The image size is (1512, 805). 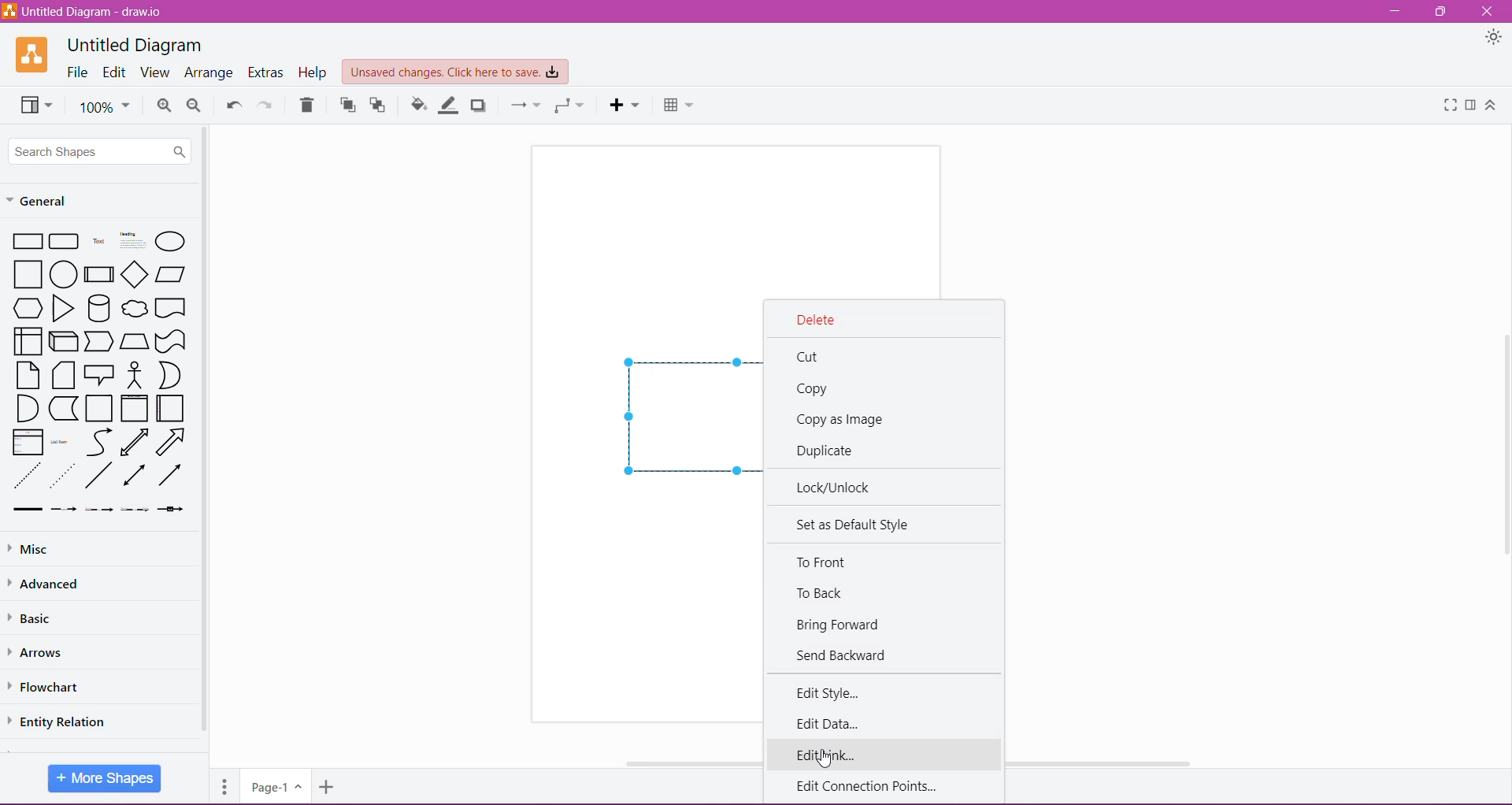 What do you see at coordinates (34, 617) in the screenshot?
I see `Basic` at bounding box center [34, 617].